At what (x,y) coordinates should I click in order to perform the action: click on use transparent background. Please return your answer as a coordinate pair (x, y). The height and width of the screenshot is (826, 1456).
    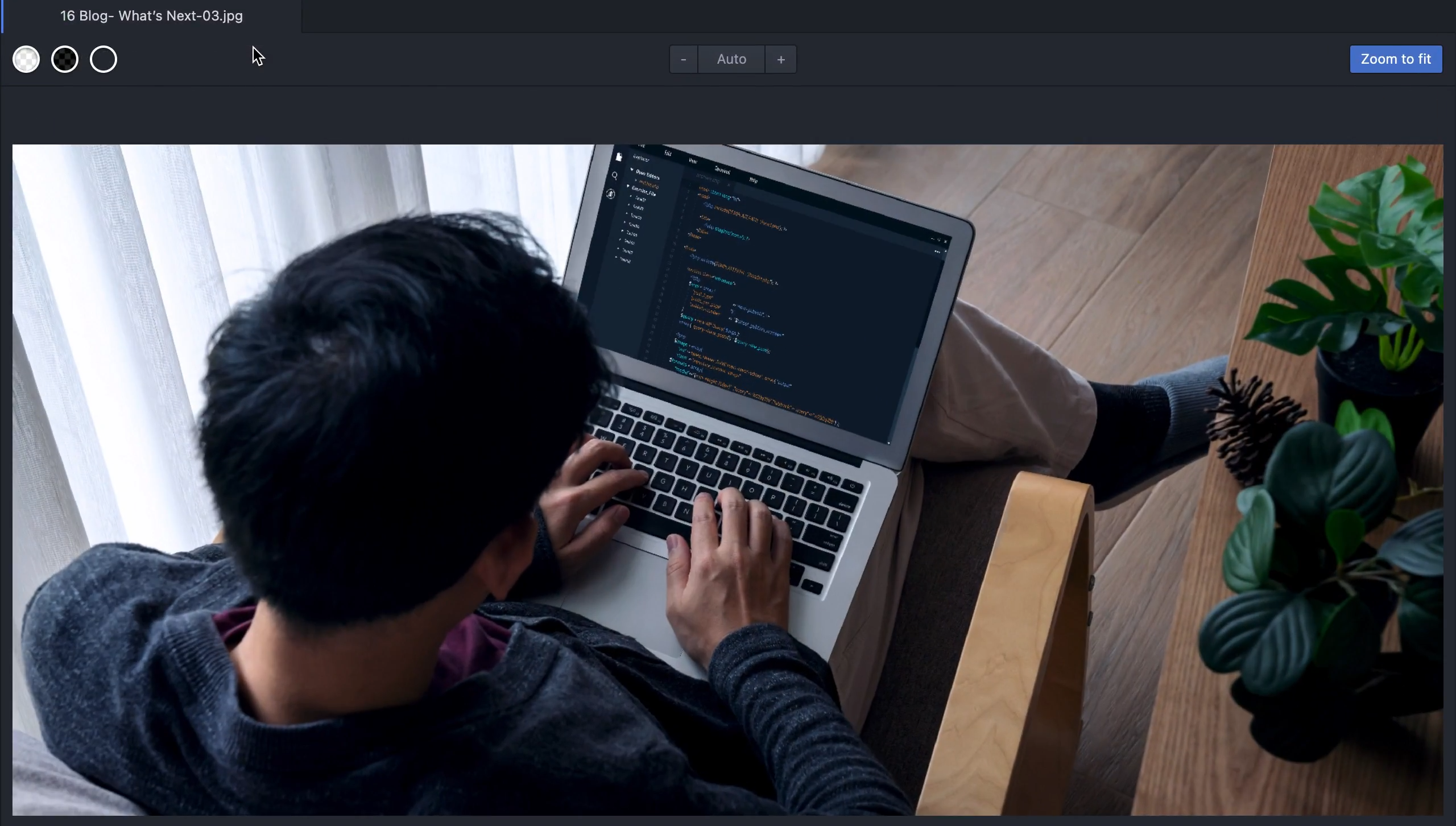
    Looking at the image, I should click on (111, 63).